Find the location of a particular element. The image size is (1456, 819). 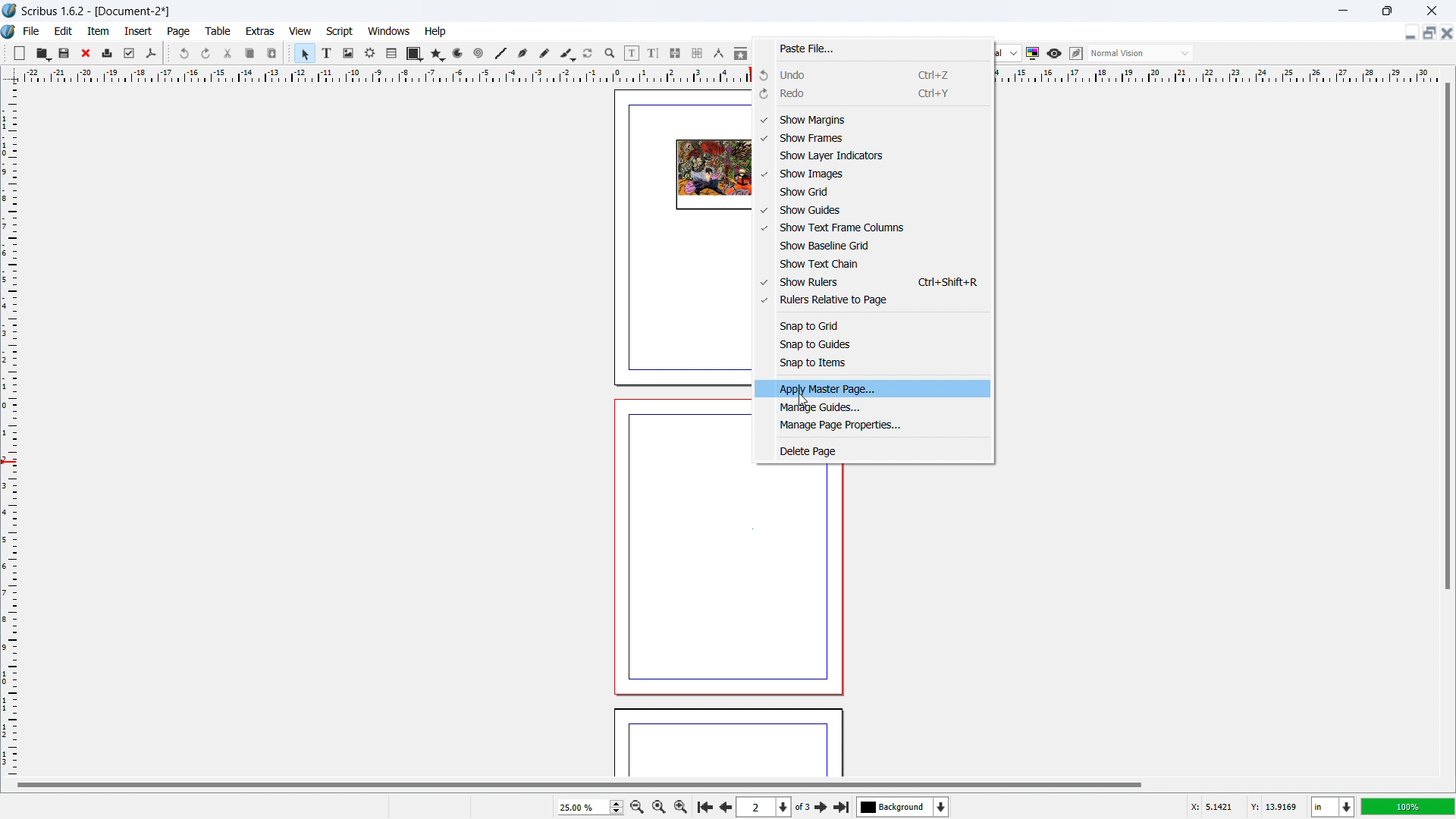

undo is located at coordinates (186, 53).